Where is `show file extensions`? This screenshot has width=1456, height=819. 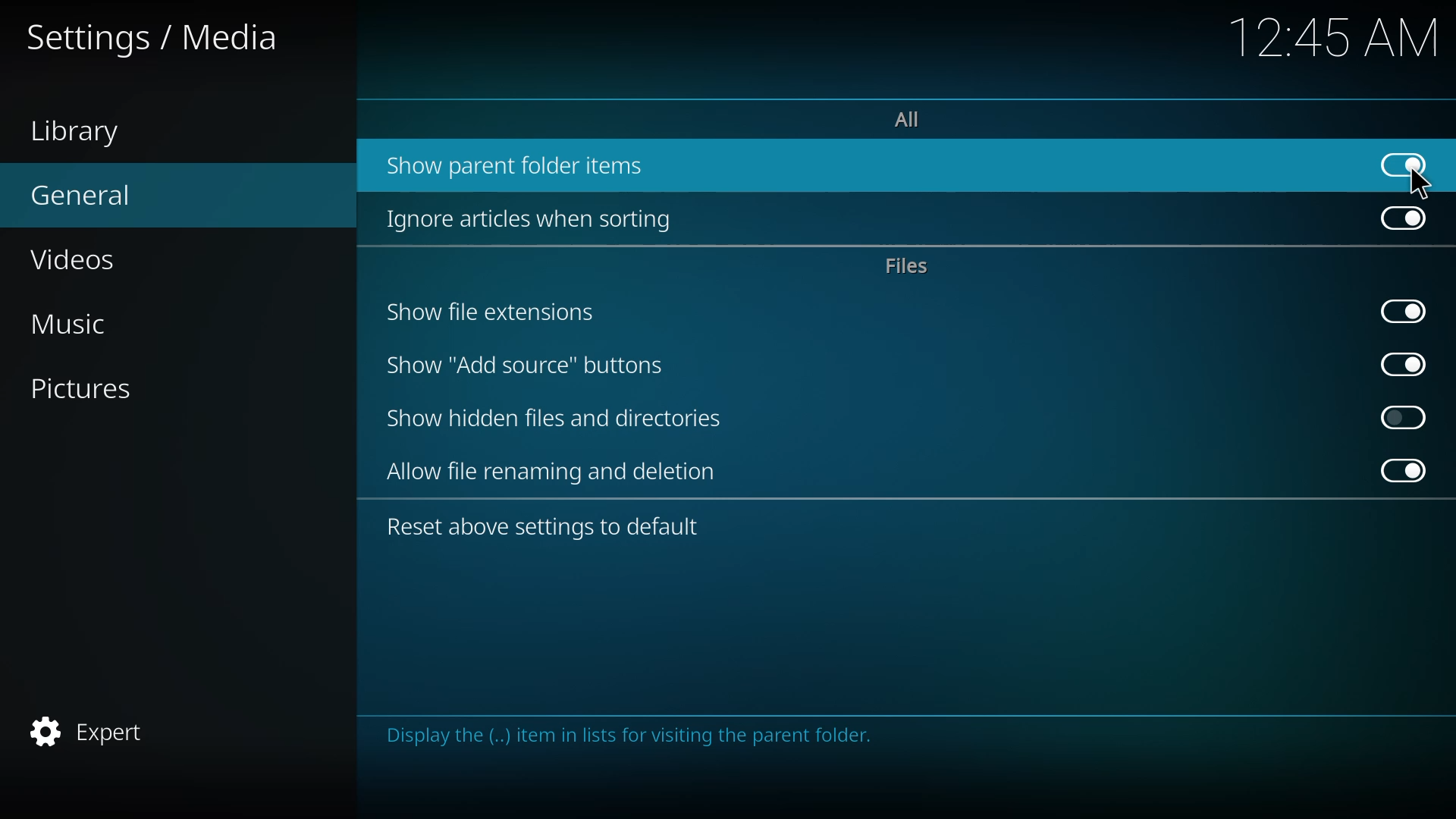 show file extensions is located at coordinates (491, 313).